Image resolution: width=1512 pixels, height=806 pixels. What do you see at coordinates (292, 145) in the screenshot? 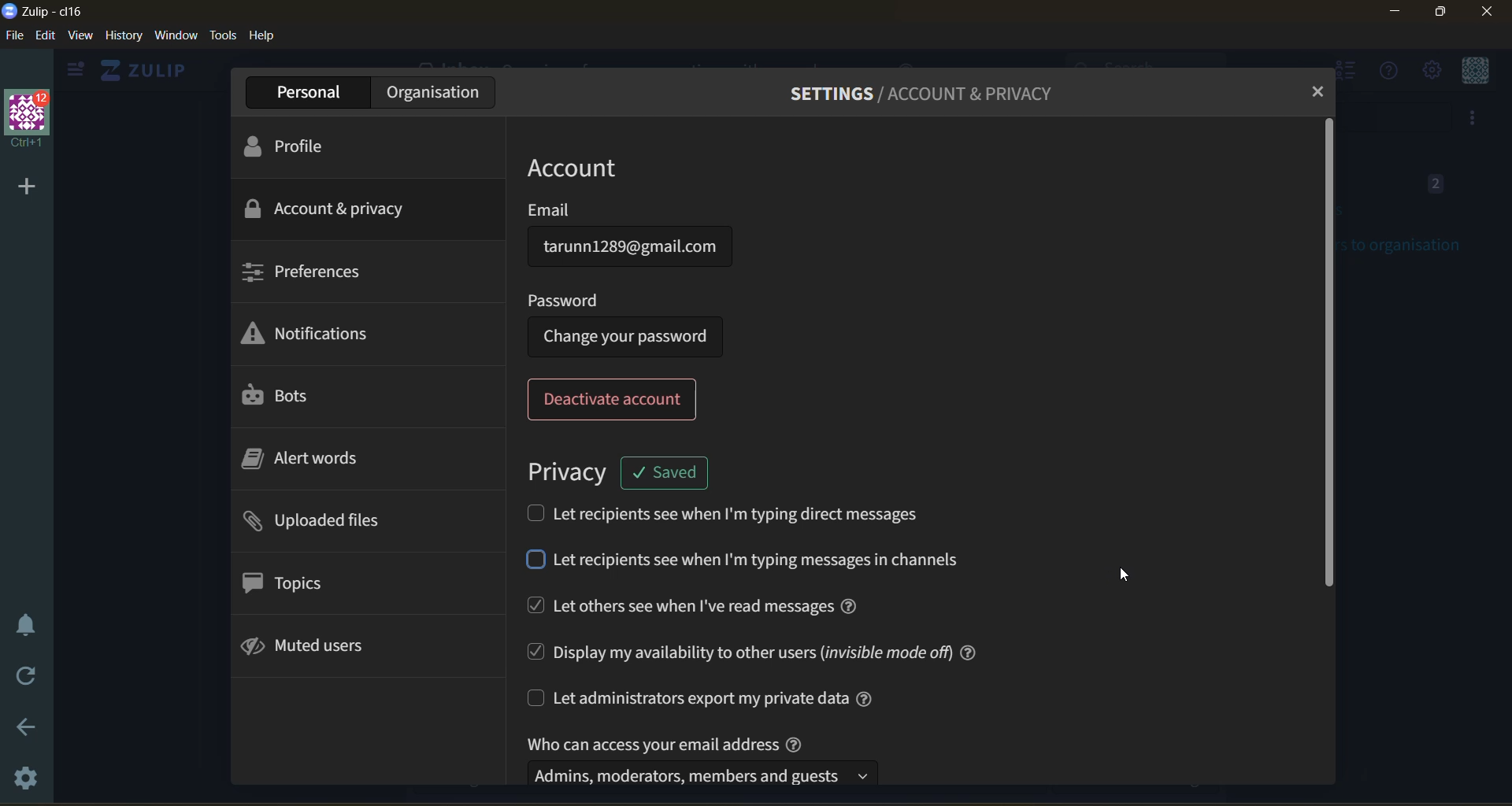
I see `profile` at bounding box center [292, 145].